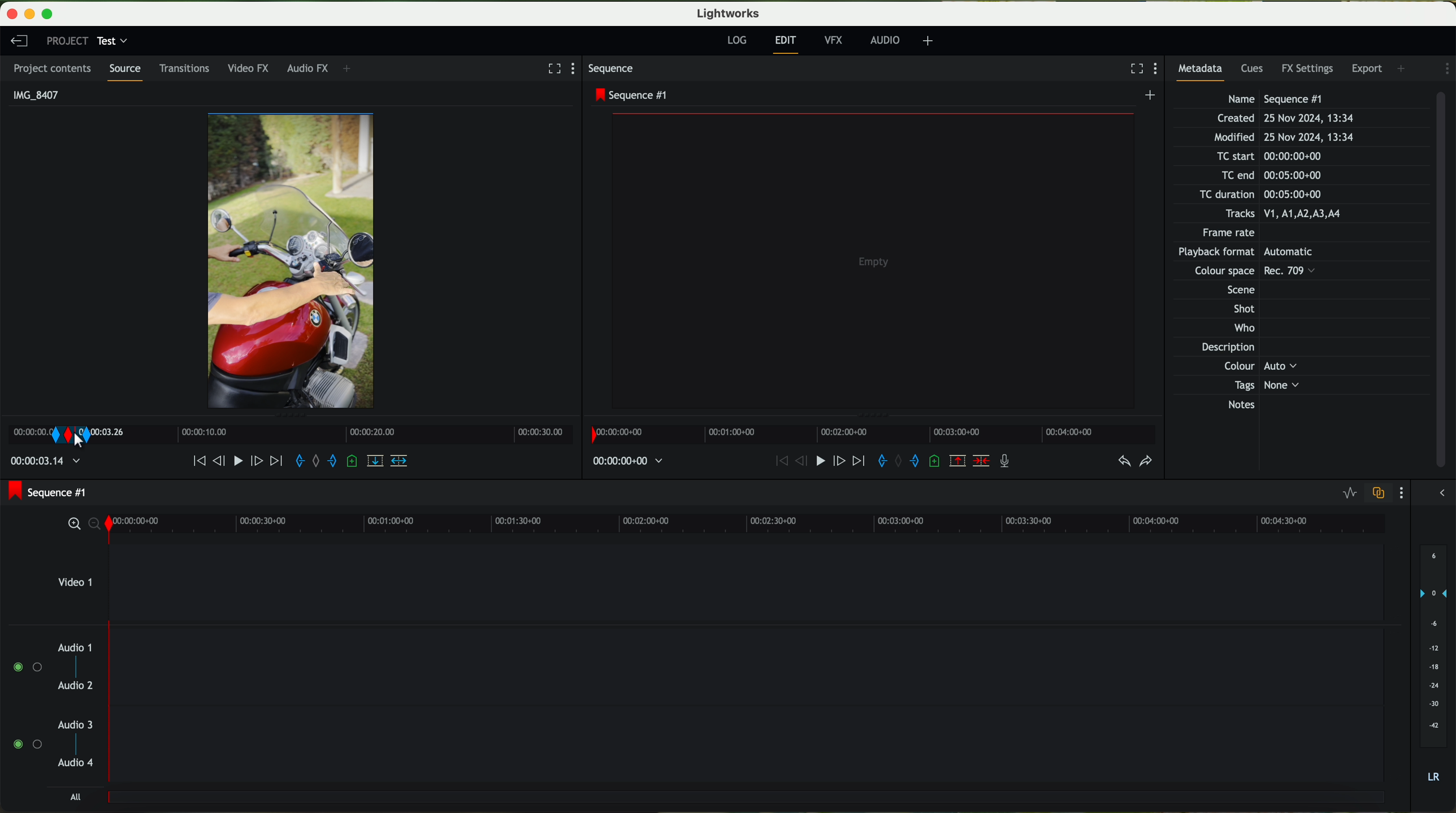 This screenshot has width=1456, height=813. I want to click on audio 3, so click(76, 724).